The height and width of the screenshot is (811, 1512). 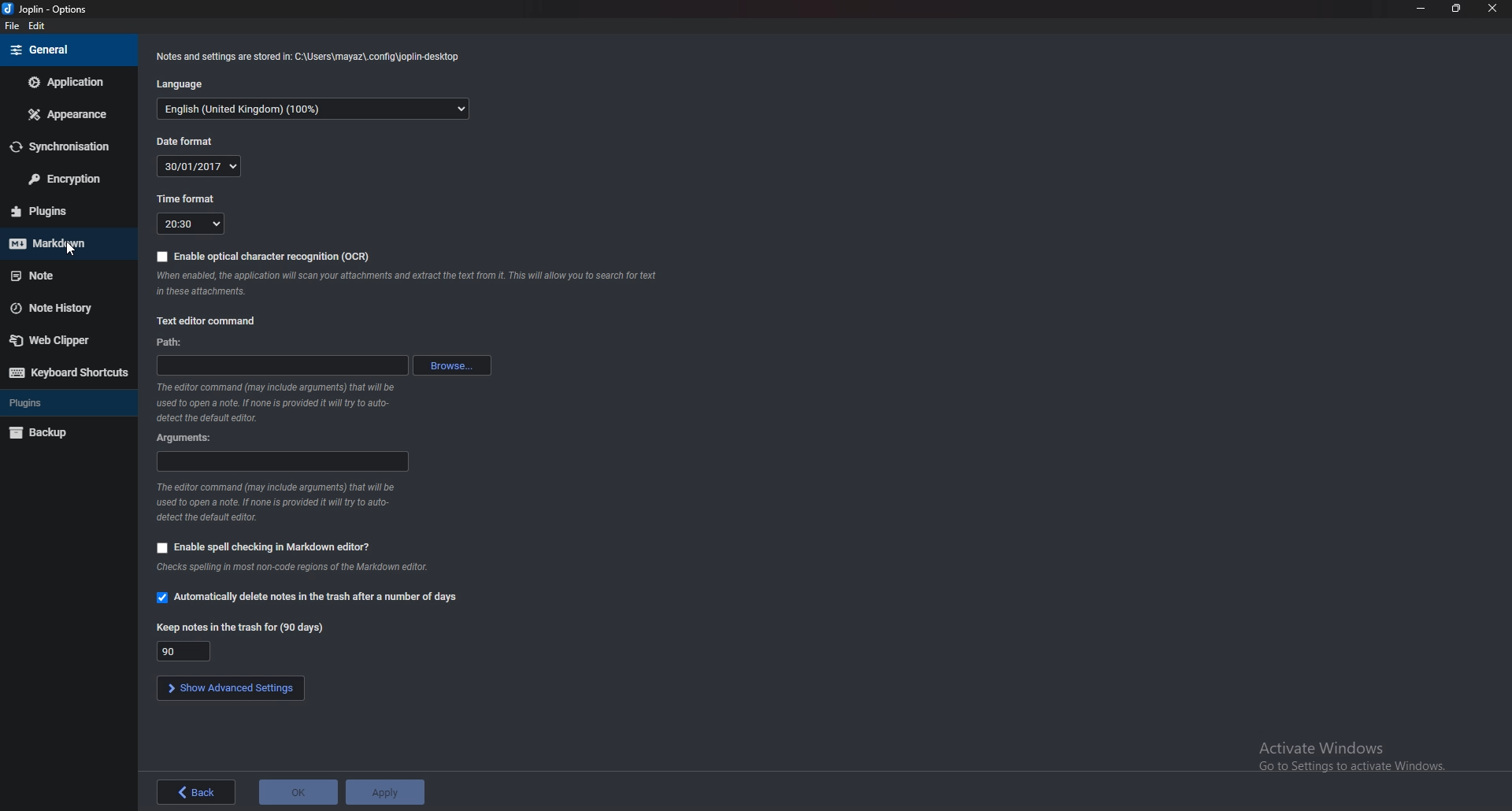 I want to click on Enable ocr, so click(x=263, y=255).